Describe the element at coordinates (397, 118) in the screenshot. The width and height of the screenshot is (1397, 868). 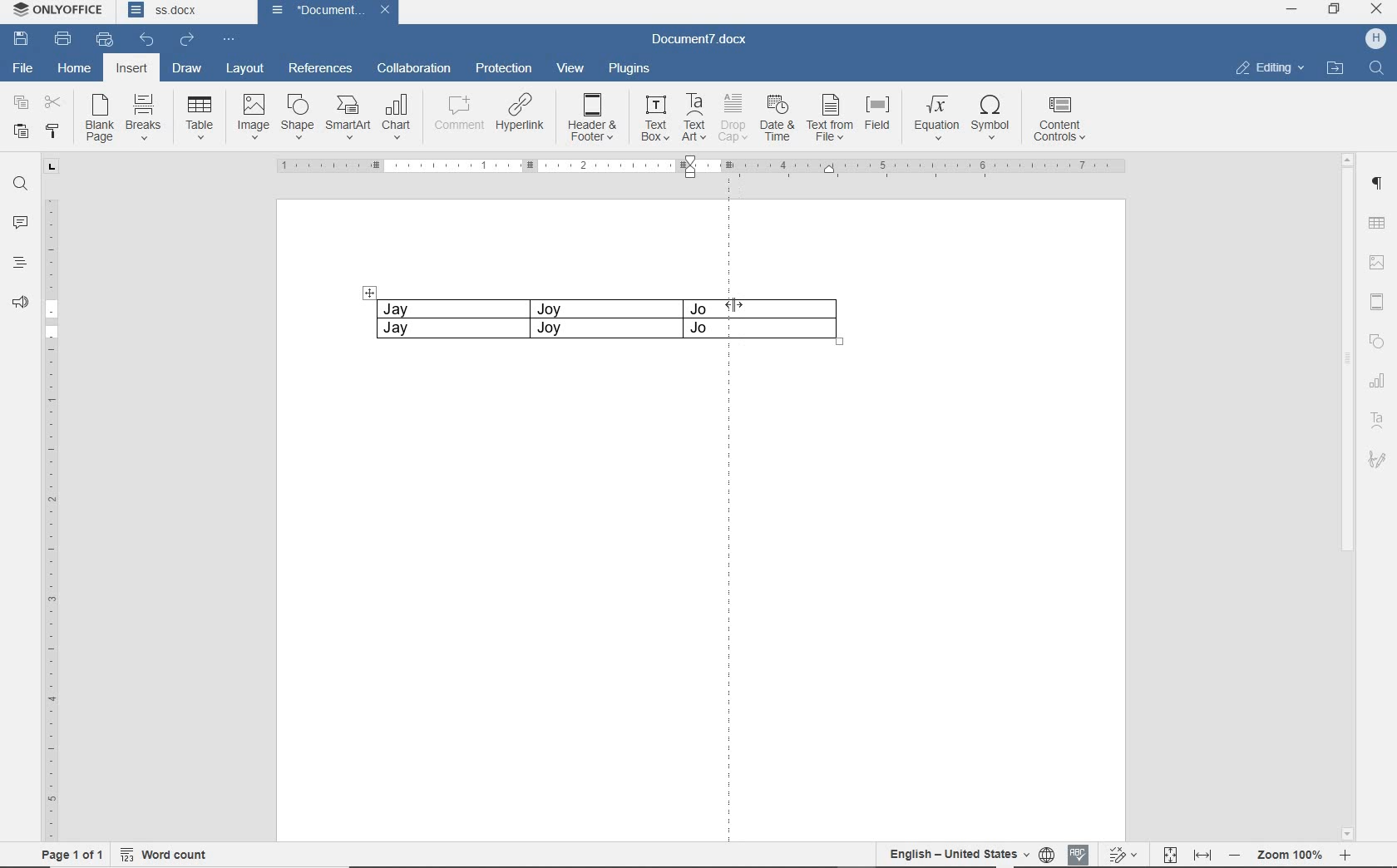
I see `CHART` at that location.